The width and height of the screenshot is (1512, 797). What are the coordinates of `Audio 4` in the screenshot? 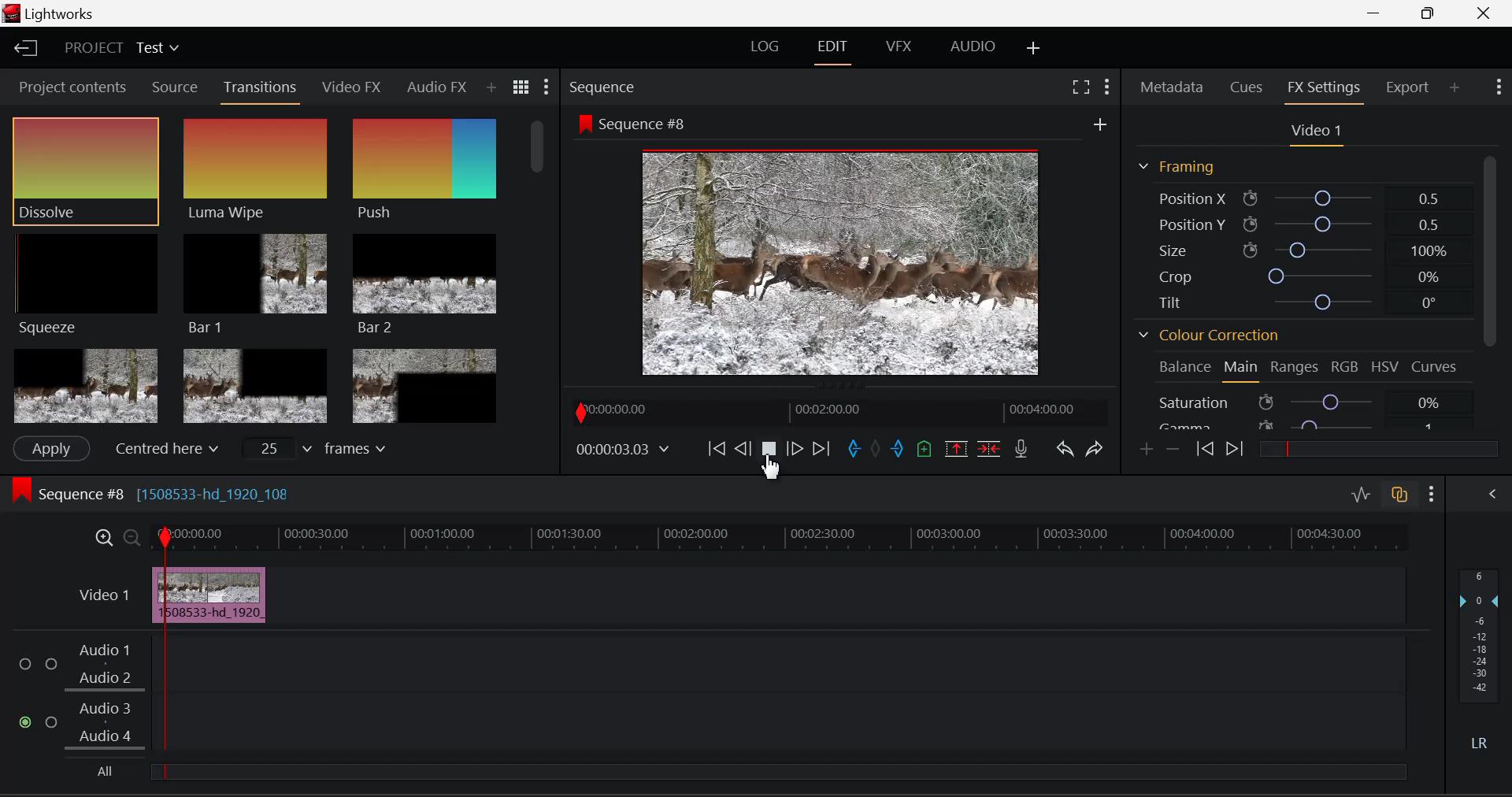 It's located at (106, 736).